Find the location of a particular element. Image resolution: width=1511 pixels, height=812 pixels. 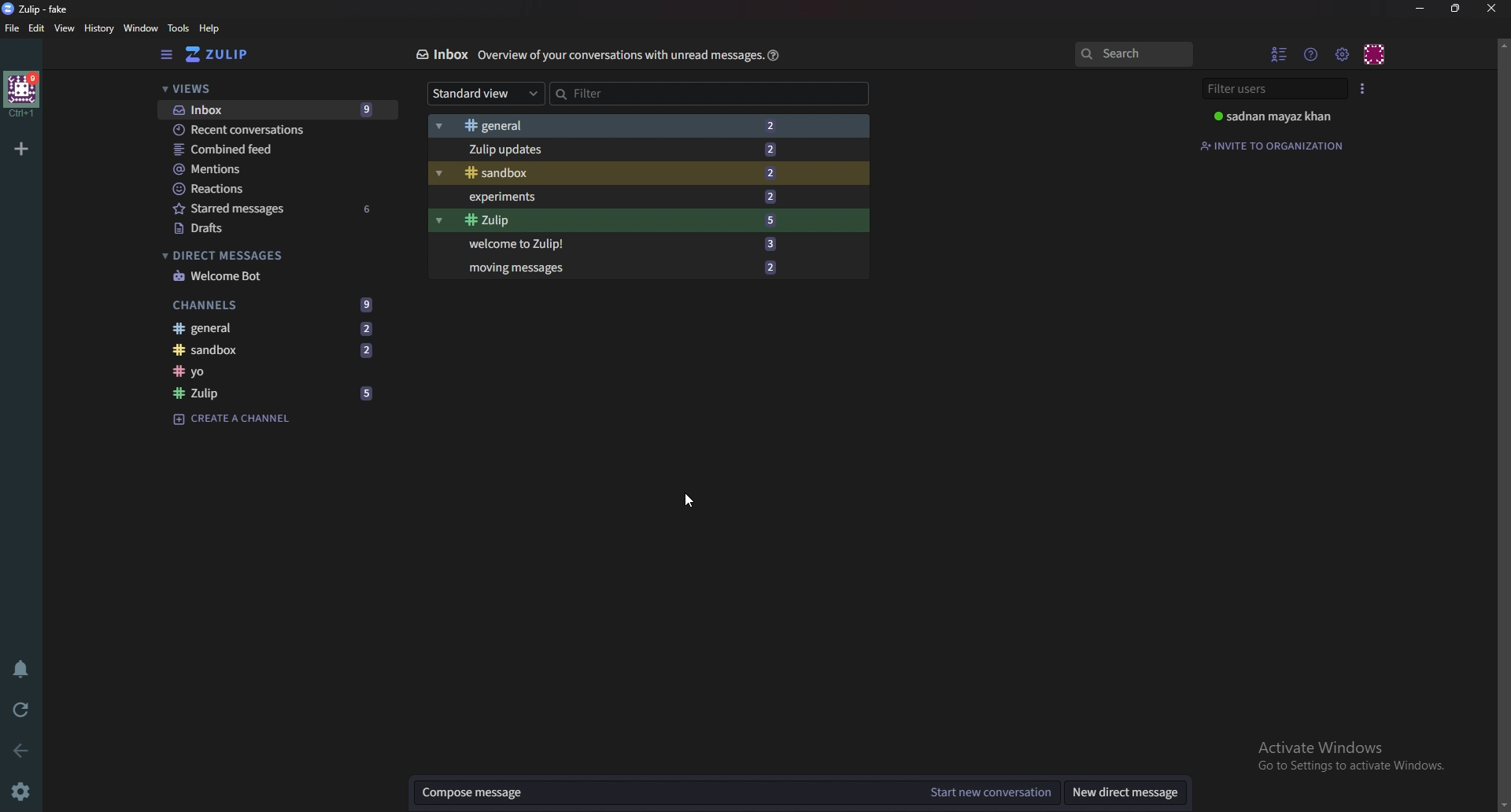

Zulip is located at coordinates (276, 393).